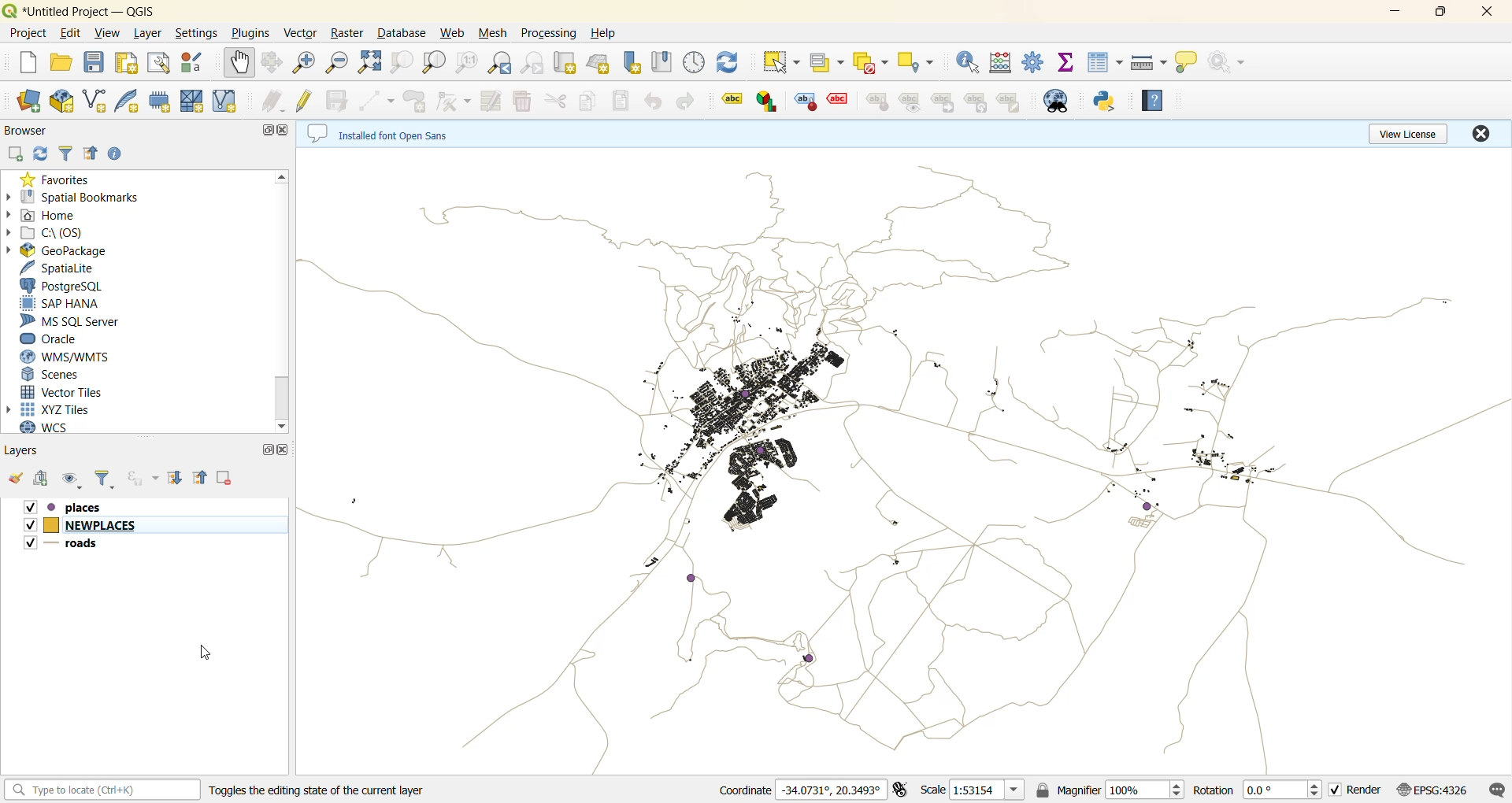 The image size is (1512, 803). I want to click on render, so click(1360, 792).